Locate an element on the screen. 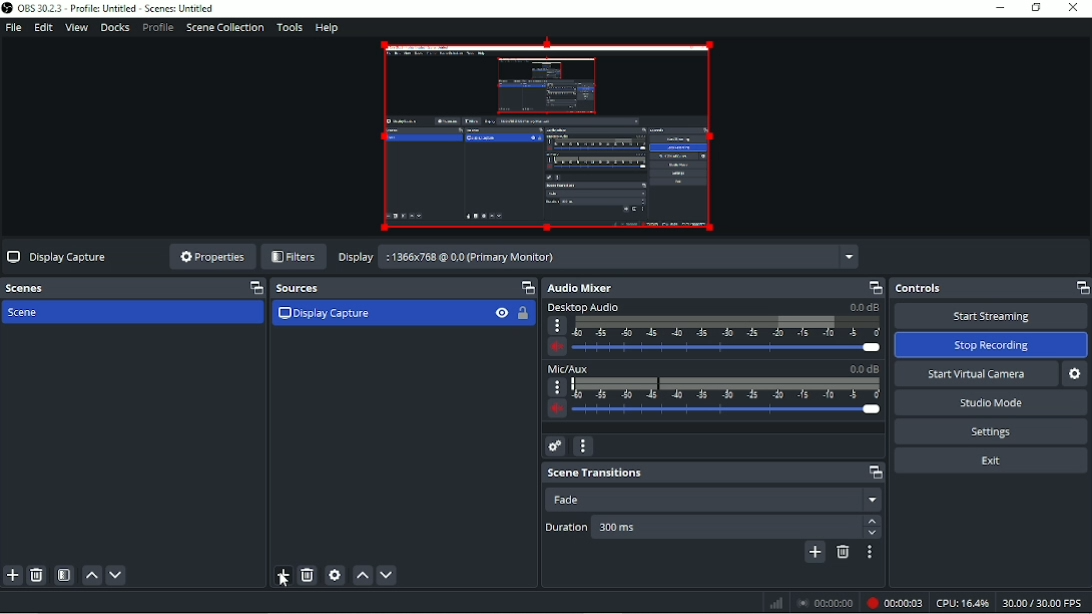 The height and width of the screenshot is (614, 1092). Add source is located at coordinates (283, 576).